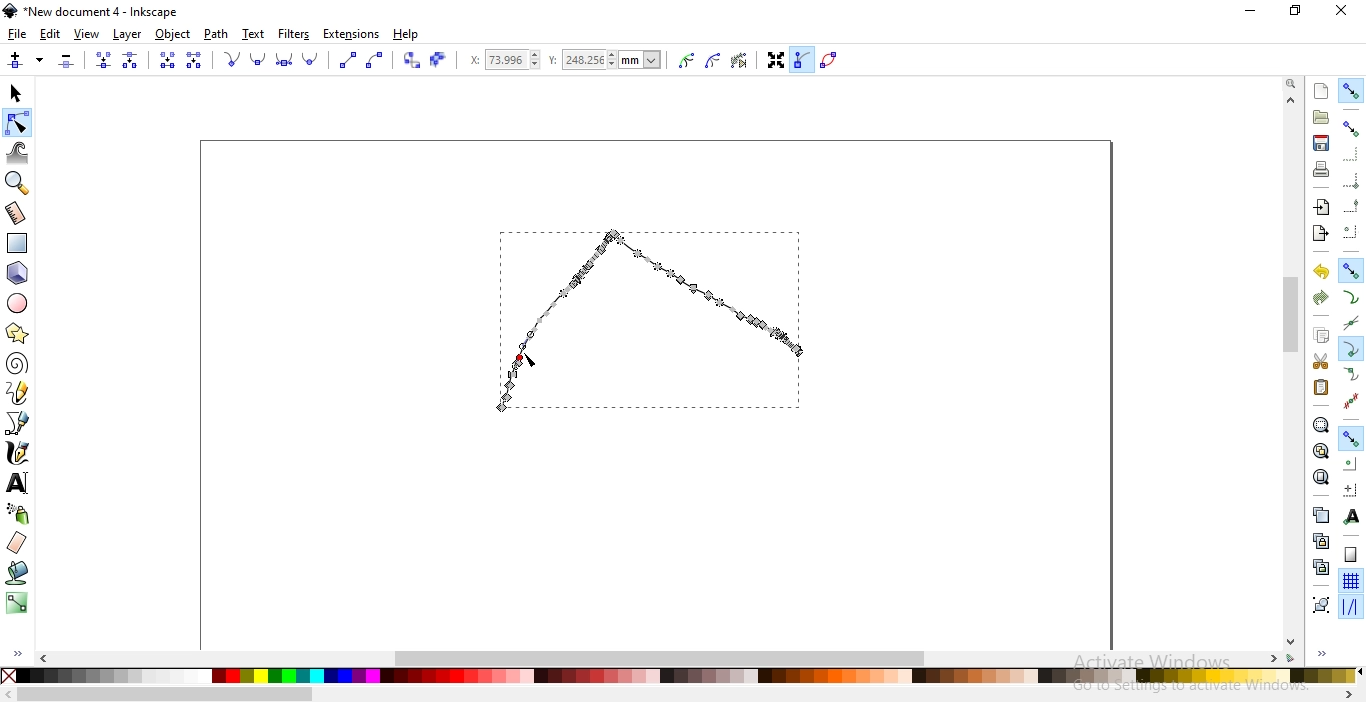 This screenshot has height=702, width=1366. I want to click on make selected nodes symmetric, so click(287, 61).